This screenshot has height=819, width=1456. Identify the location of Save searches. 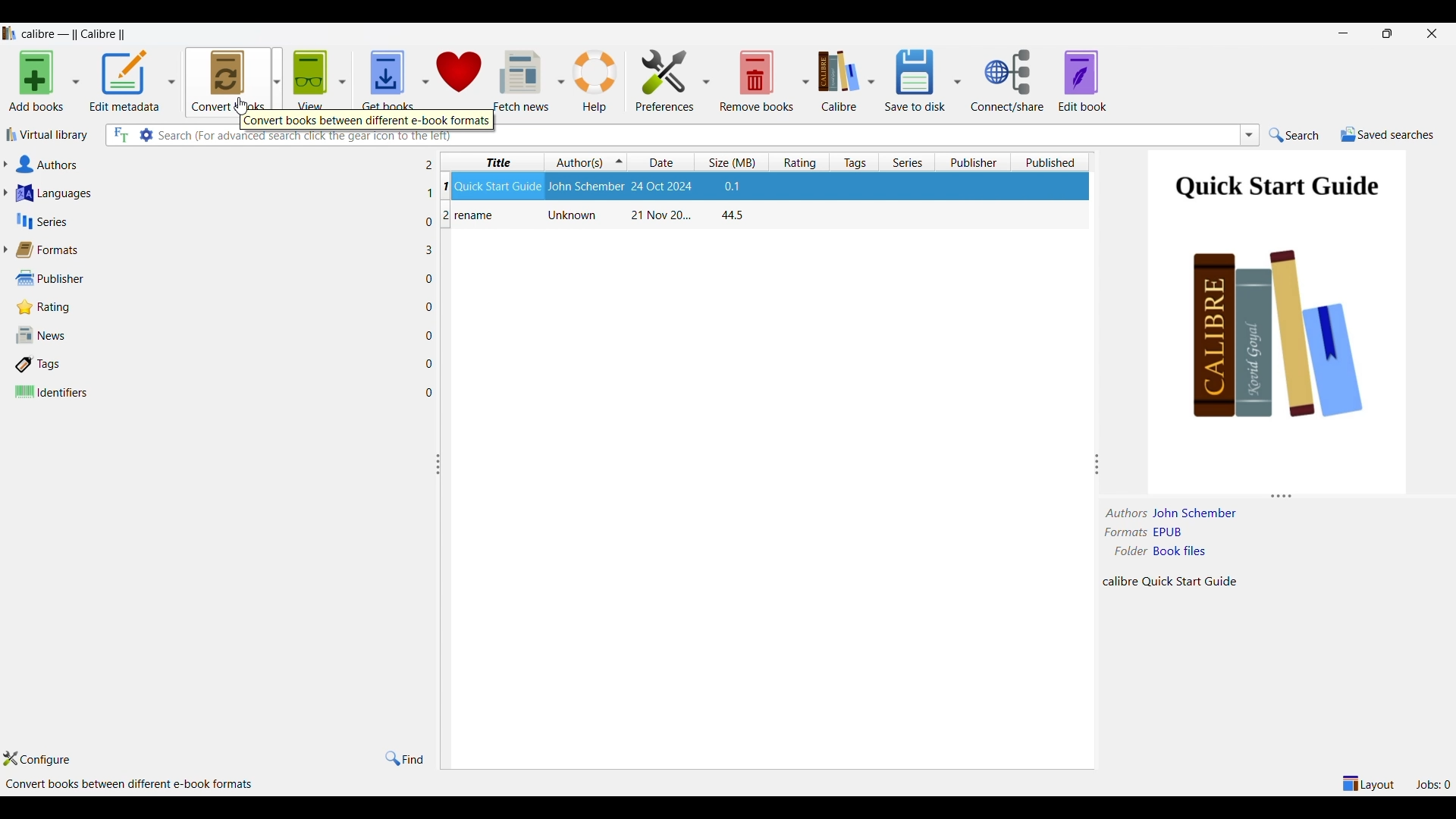
(1387, 135).